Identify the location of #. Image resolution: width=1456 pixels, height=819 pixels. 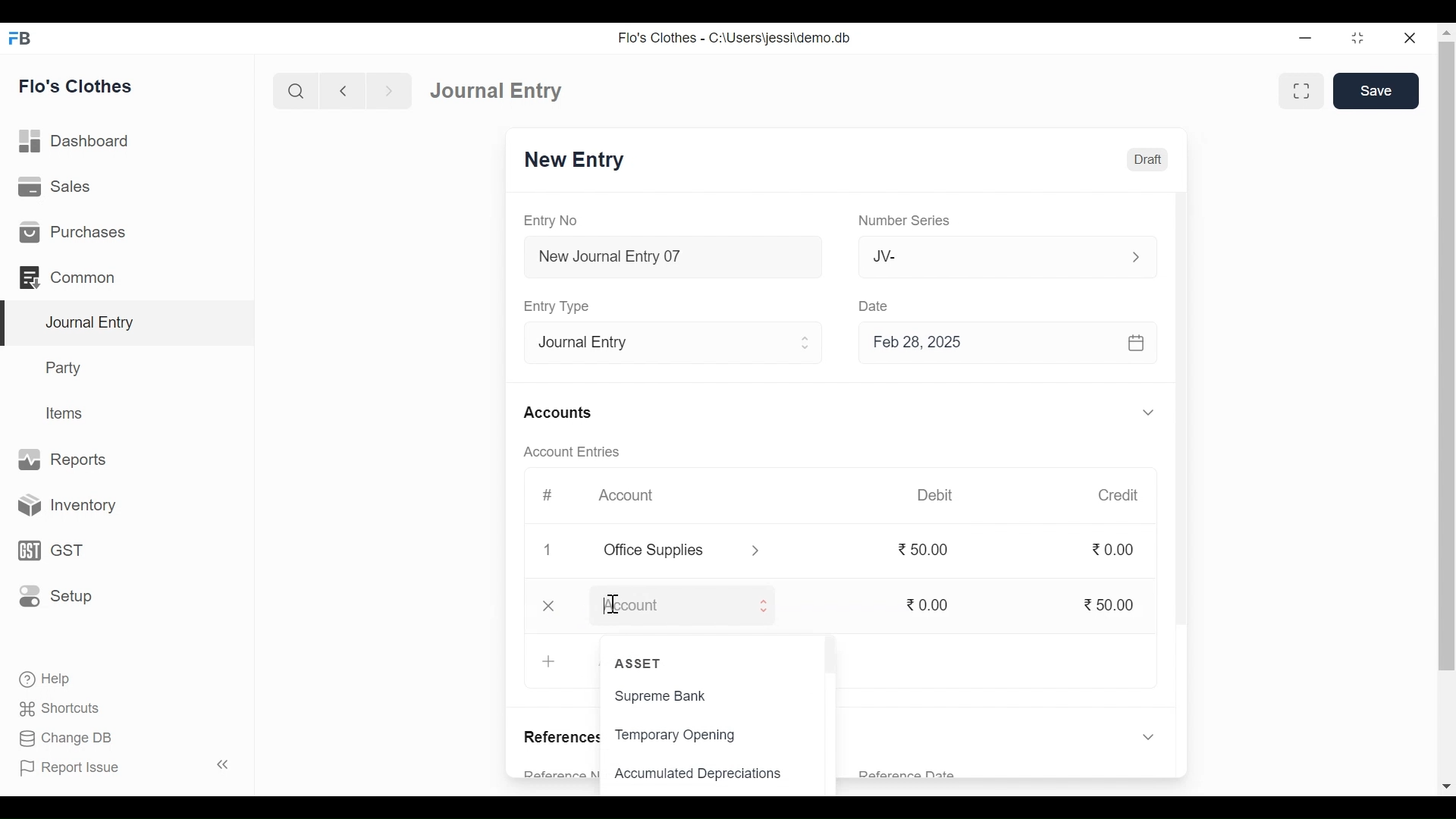
(548, 494).